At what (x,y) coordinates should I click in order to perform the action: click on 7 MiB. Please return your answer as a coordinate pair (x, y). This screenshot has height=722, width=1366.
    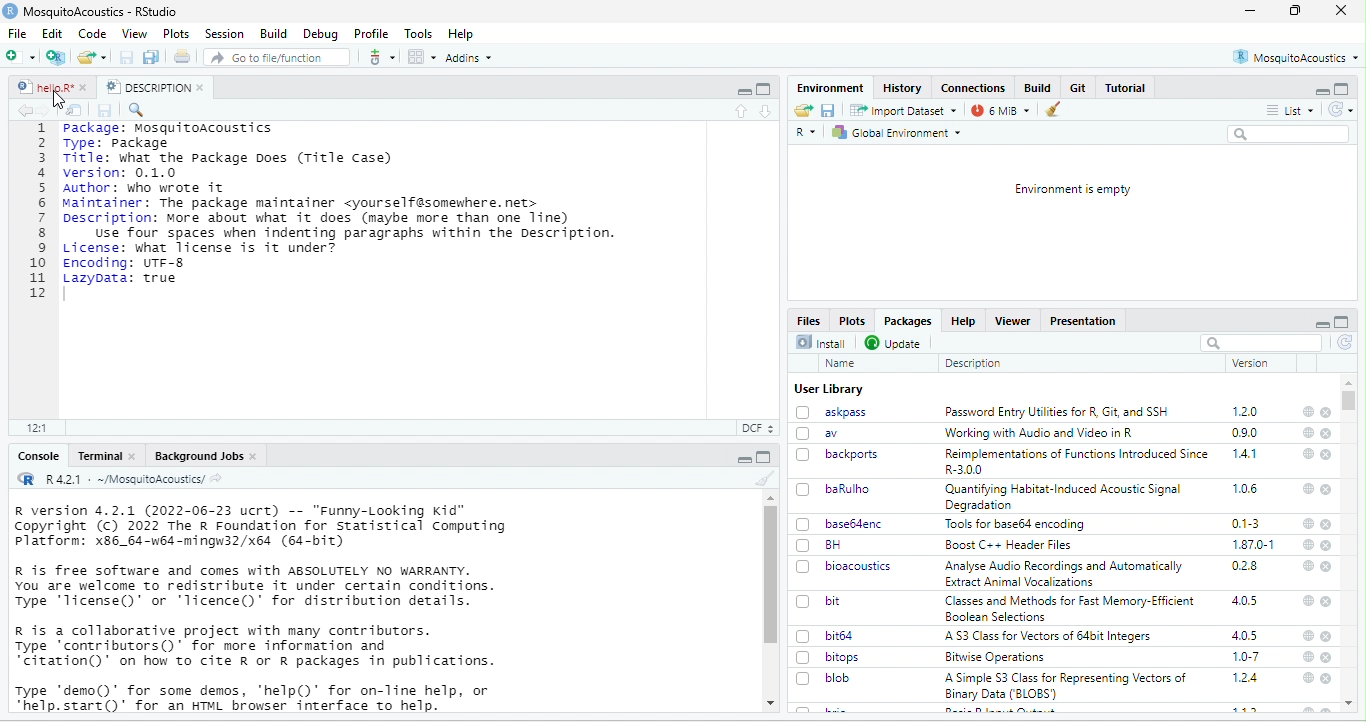
    Looking at the image, I should click on (1000, 110).